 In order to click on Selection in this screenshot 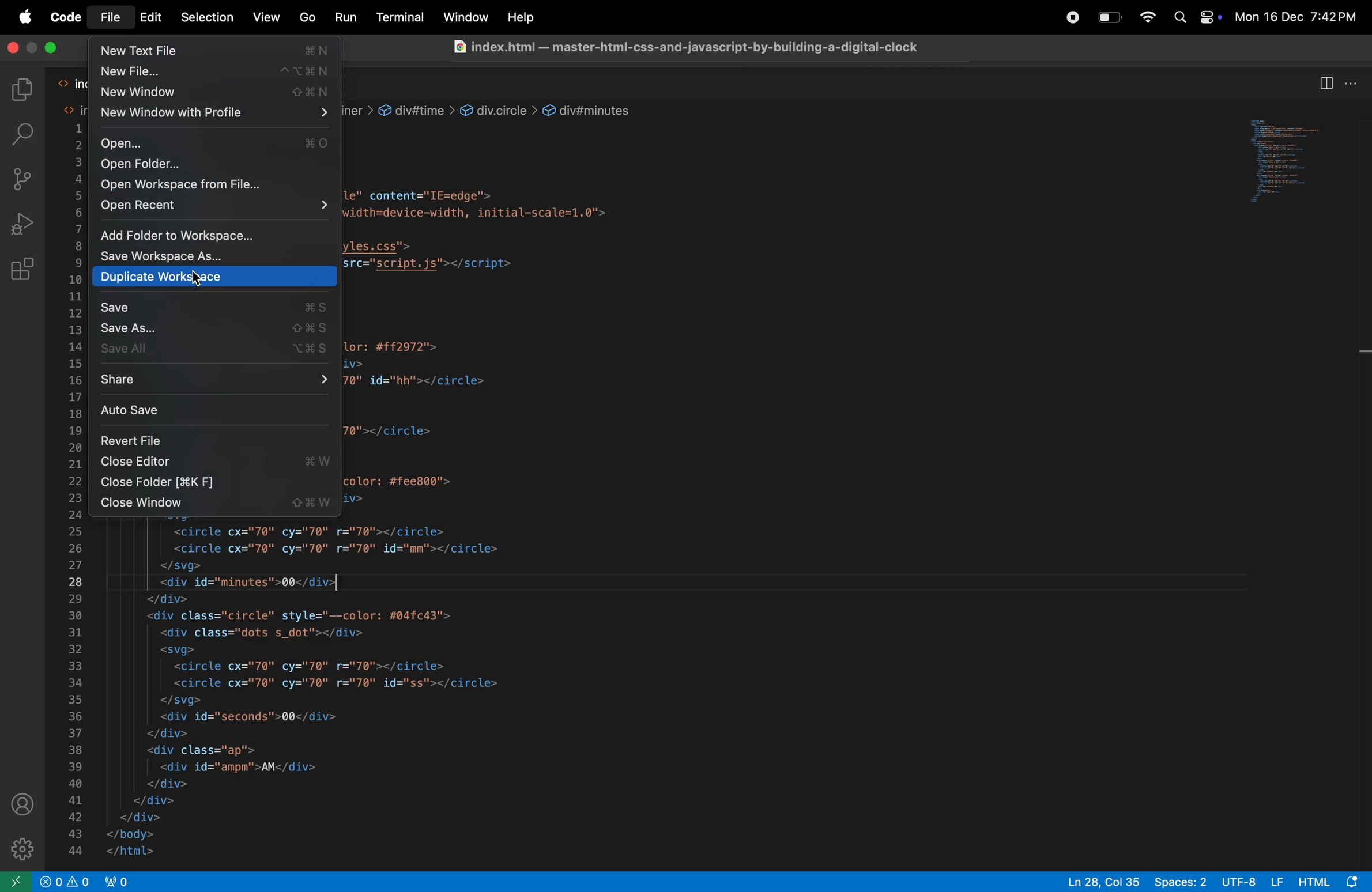, I will do `click(207, 17)`.